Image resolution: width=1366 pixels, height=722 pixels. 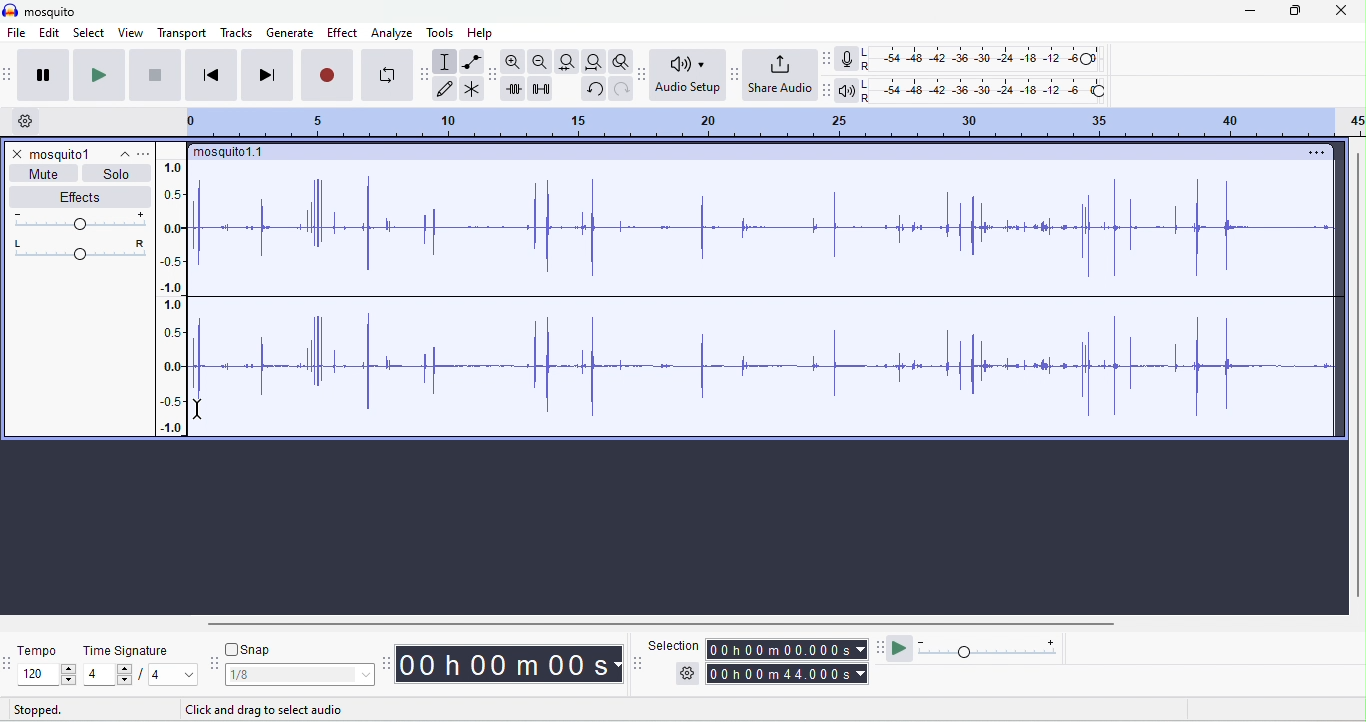 What do you see at coordinates (567, 61) in the screenshot?
I see `fit to track width` at bounding box center [567, 61].